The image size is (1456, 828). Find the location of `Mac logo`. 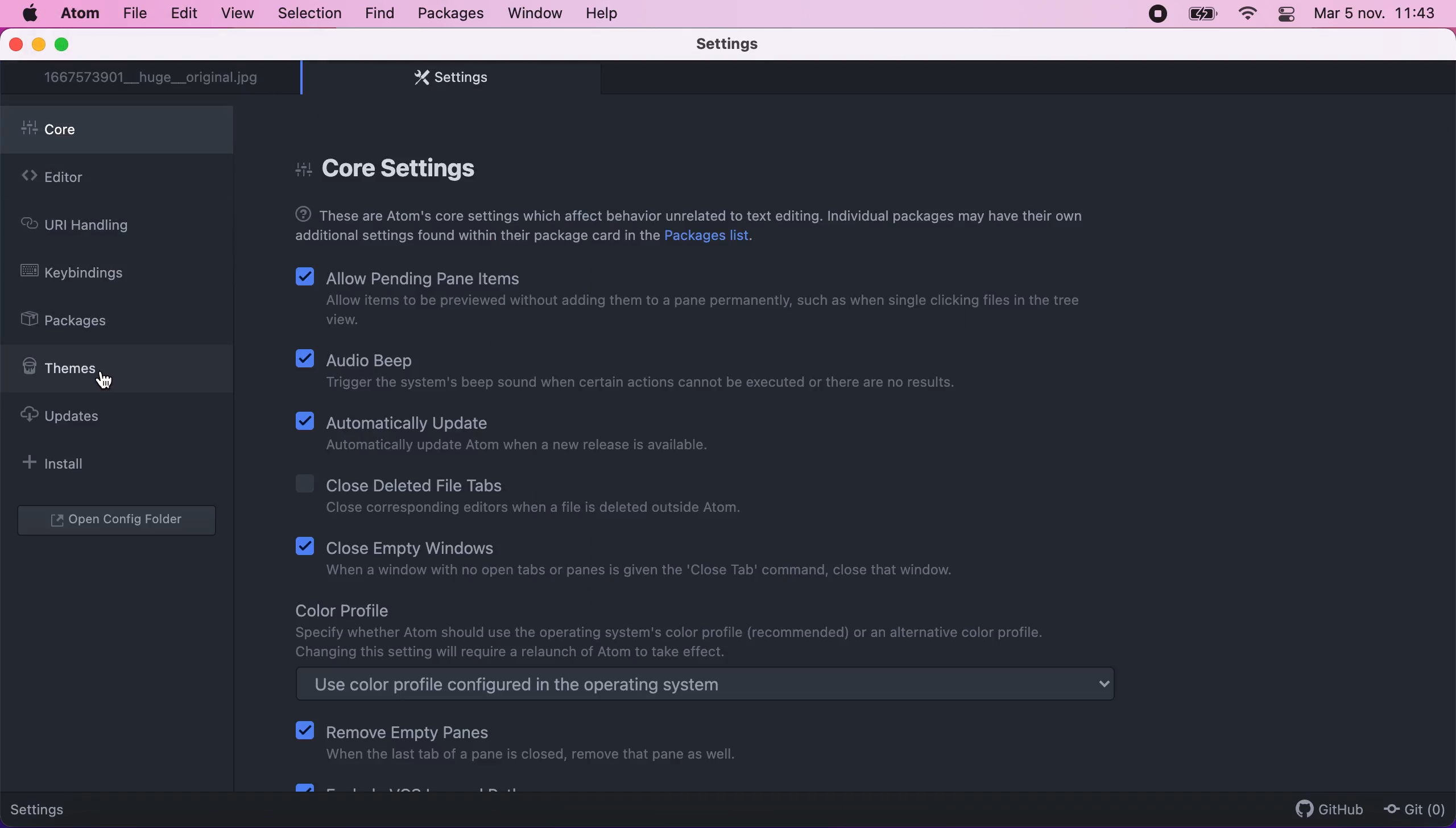

Mac logo is located at coordinates (31, 13).